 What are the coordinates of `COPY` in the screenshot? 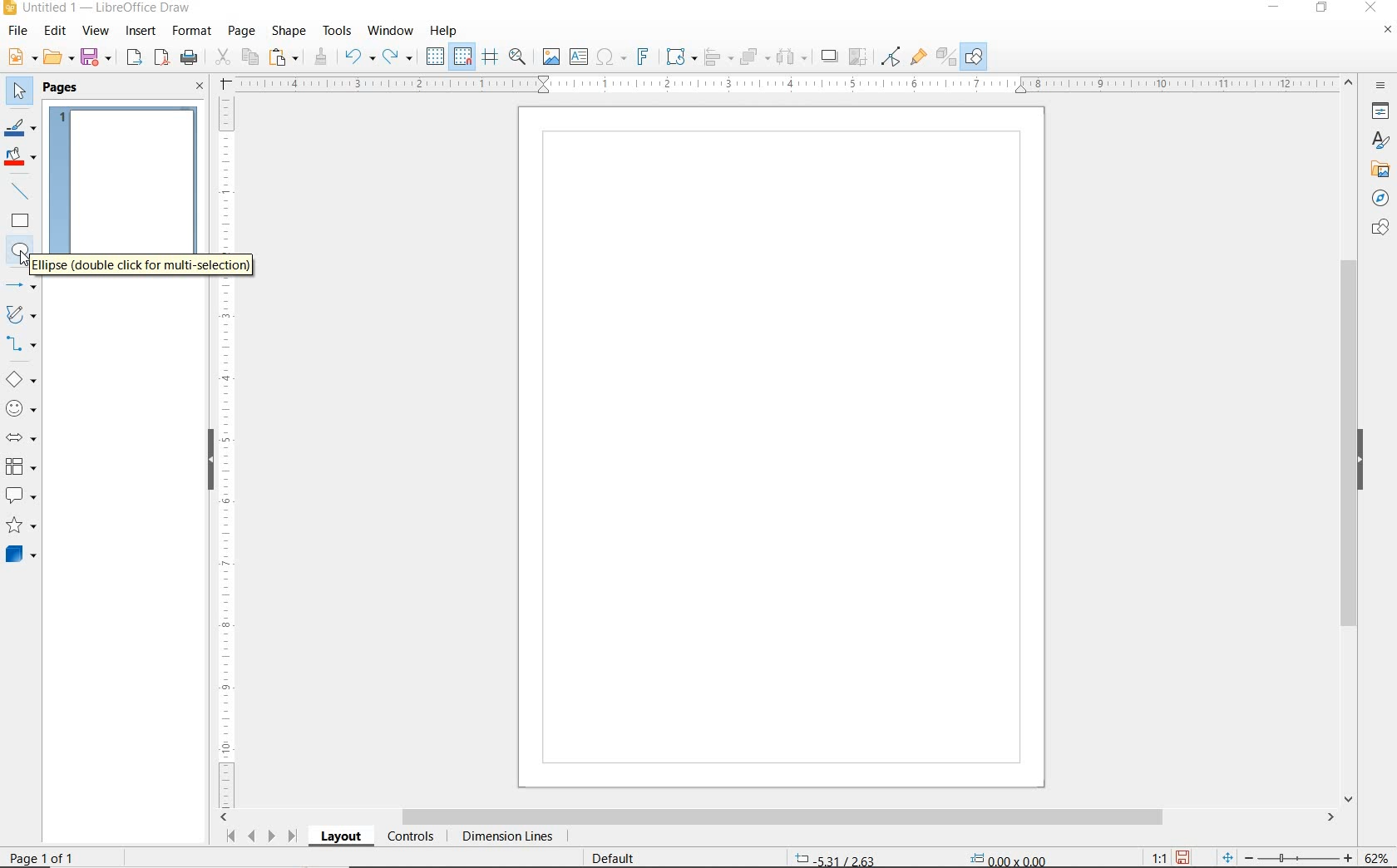 It's located at (250, 56).